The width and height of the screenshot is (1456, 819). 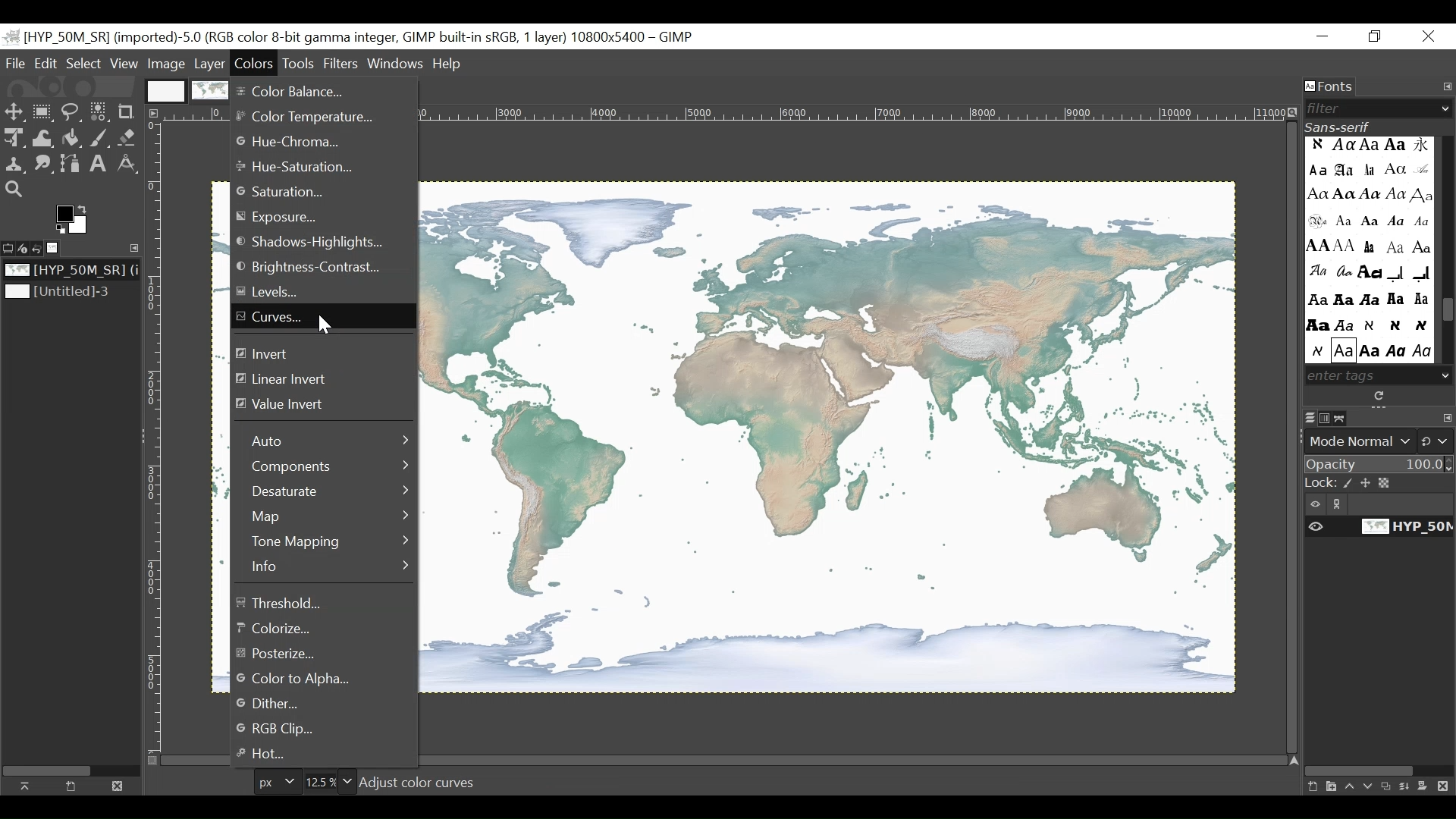 What do you see at coordinates (288, 731) in the screenshot?
I see `RGB Clip` at bounding box center [288, 731].